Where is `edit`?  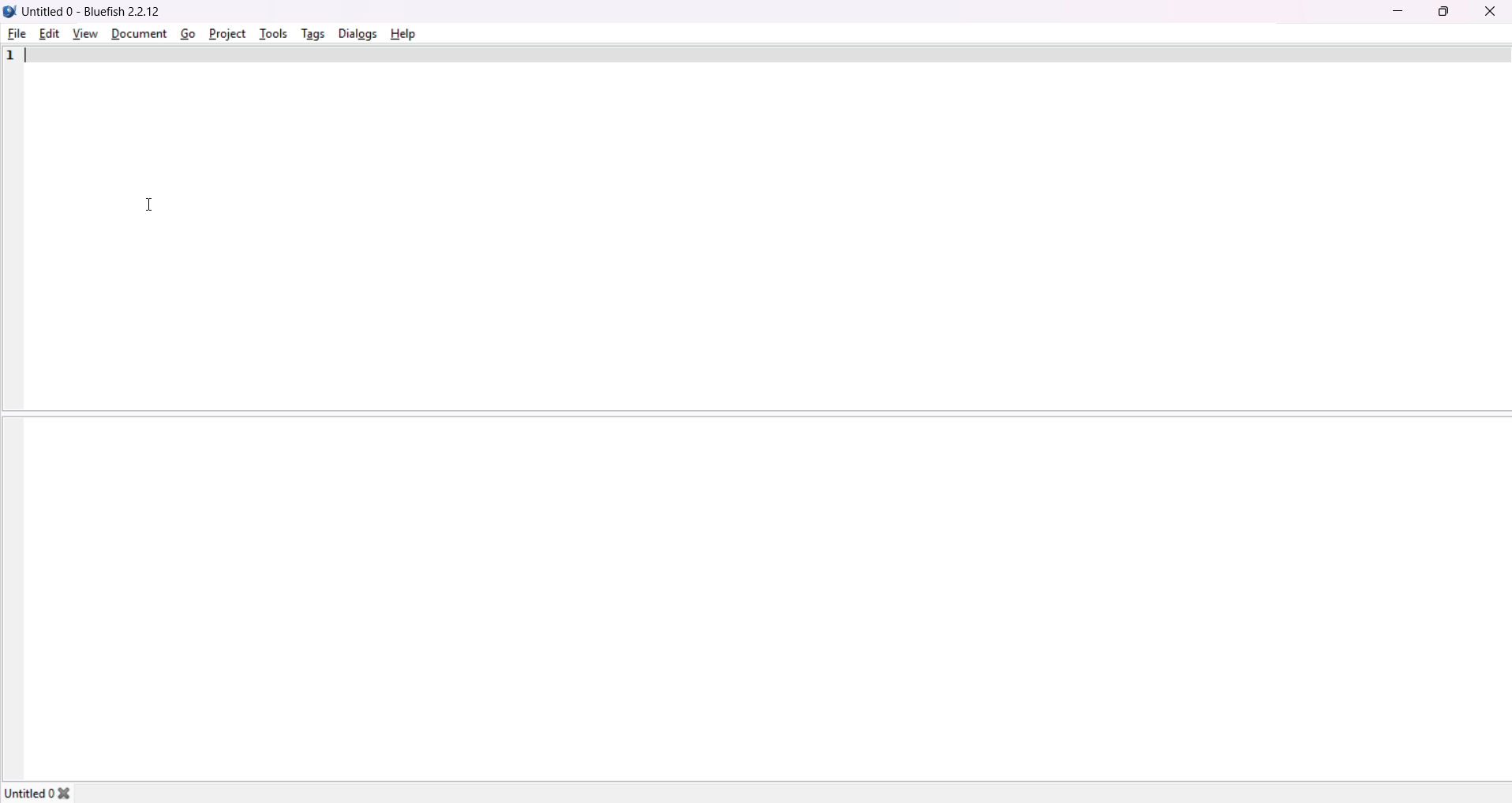 edit is located at coordinates (49, 32).